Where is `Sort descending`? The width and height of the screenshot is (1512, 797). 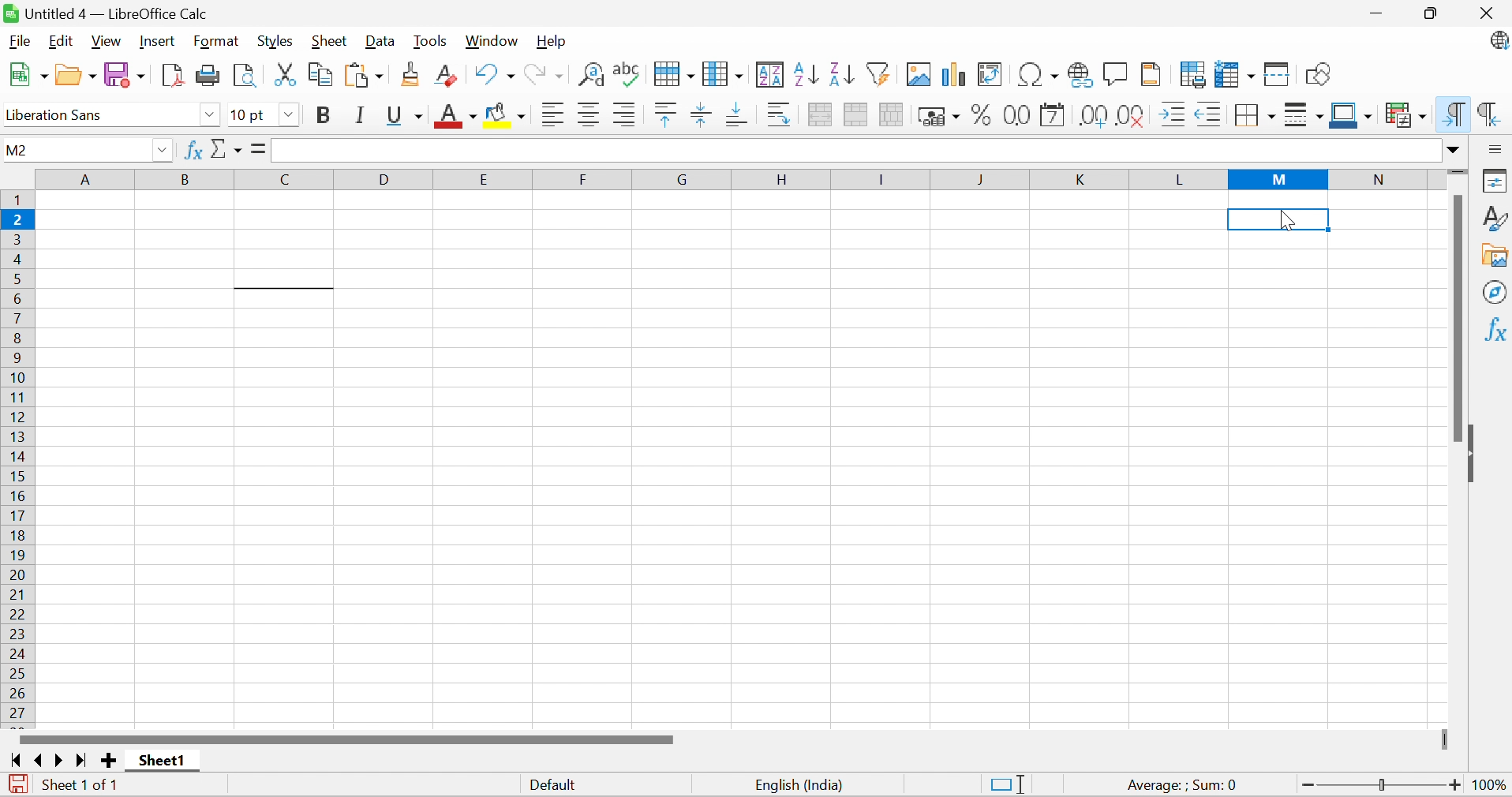
Sort descending is located at coordinates (841, 73).